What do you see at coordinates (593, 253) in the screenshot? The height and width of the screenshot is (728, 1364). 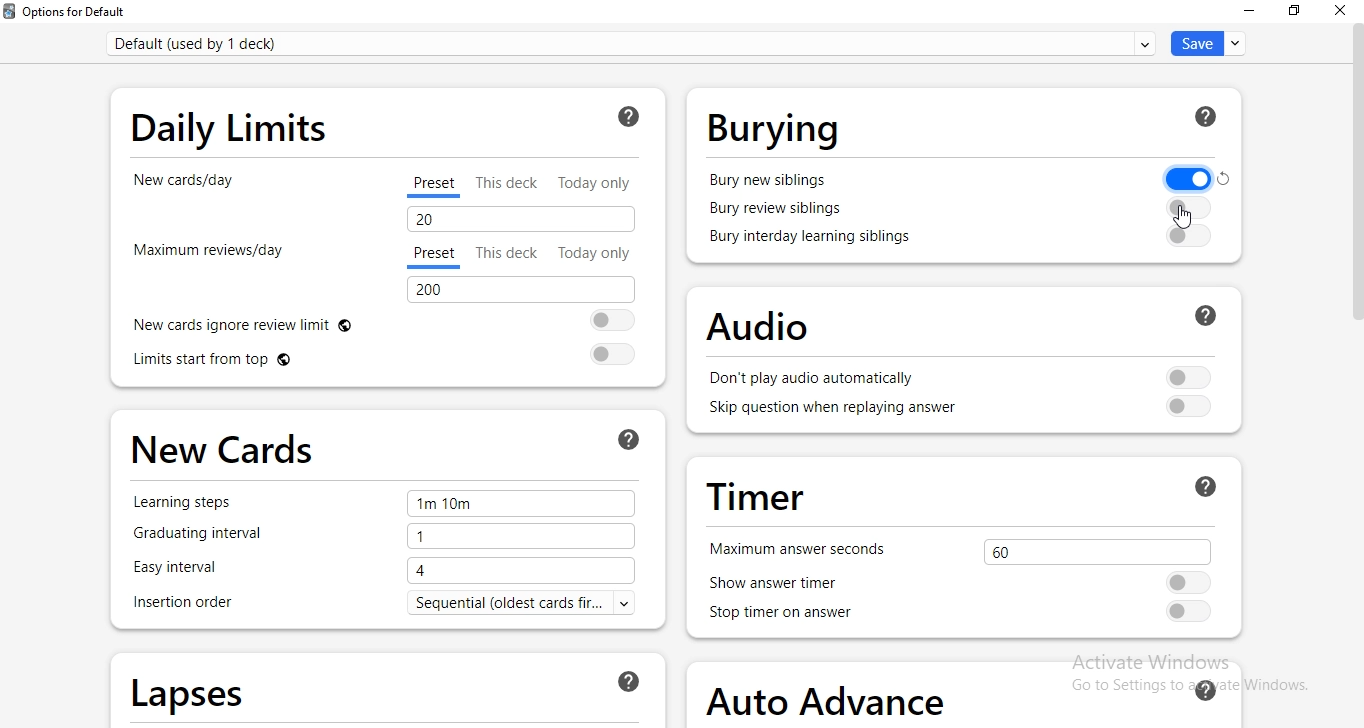 I see `today only` at bounding box center [593, 253].